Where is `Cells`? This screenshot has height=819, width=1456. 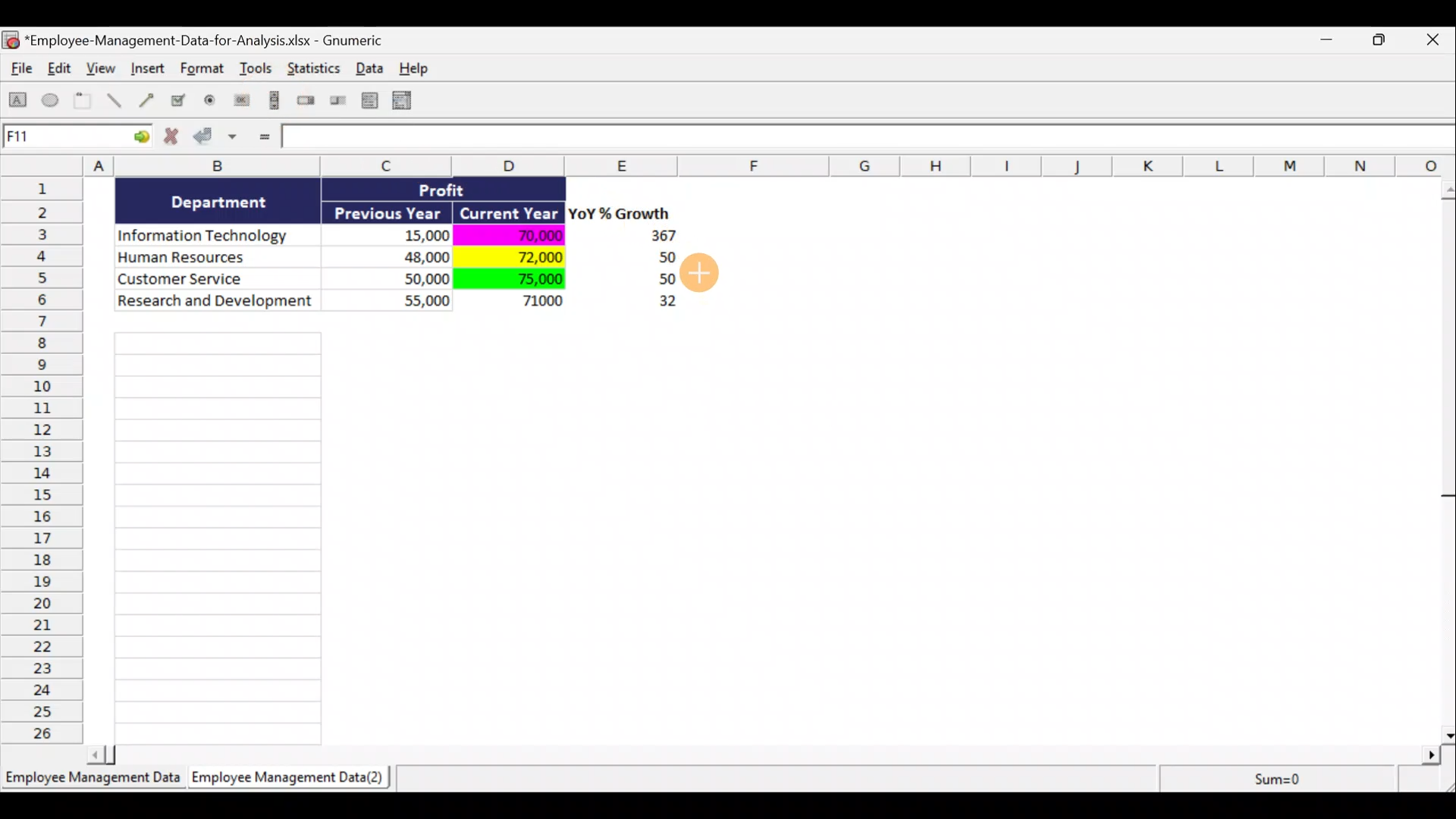 Cells is located at coordinates (218, 534).